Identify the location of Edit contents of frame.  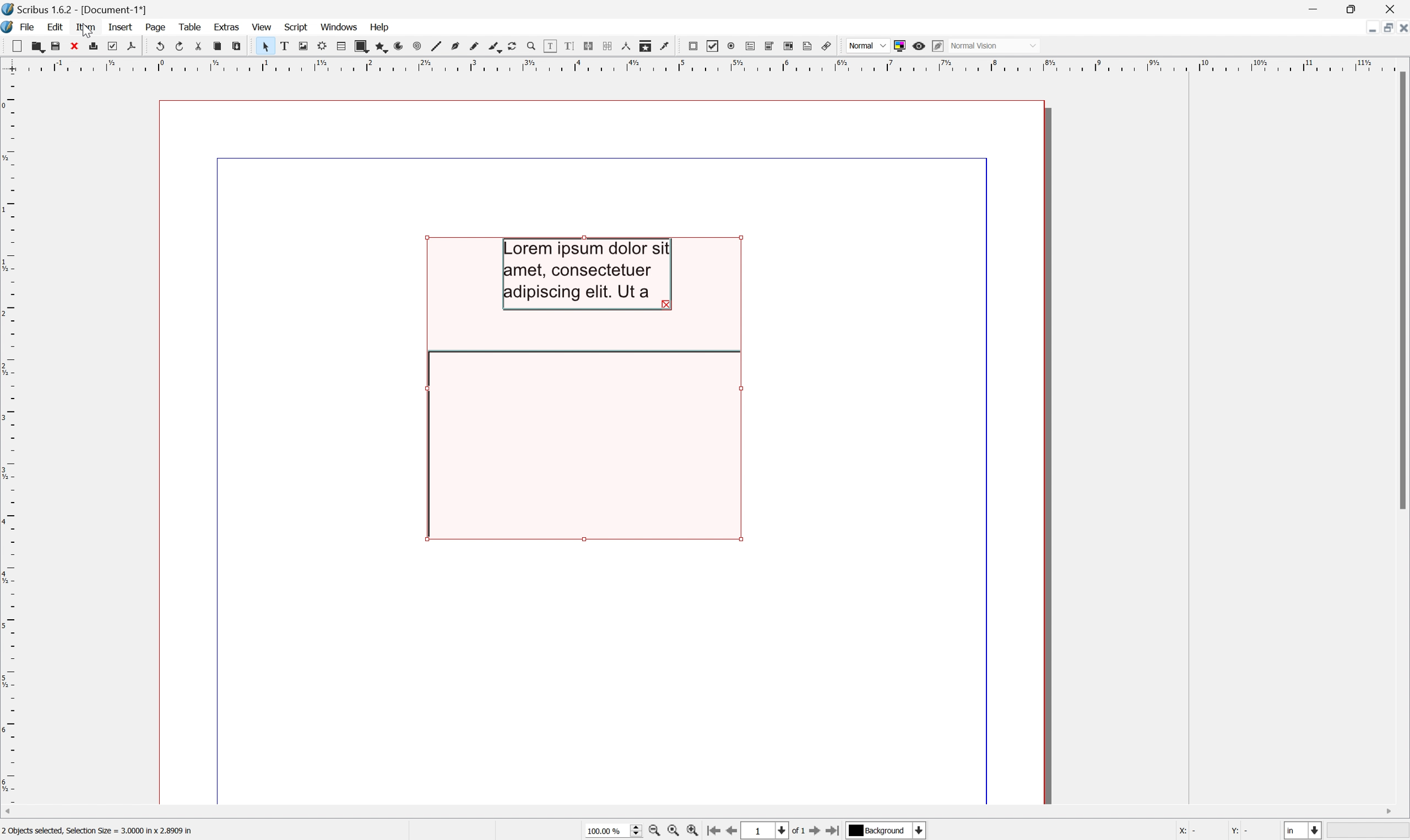
(549, 45).